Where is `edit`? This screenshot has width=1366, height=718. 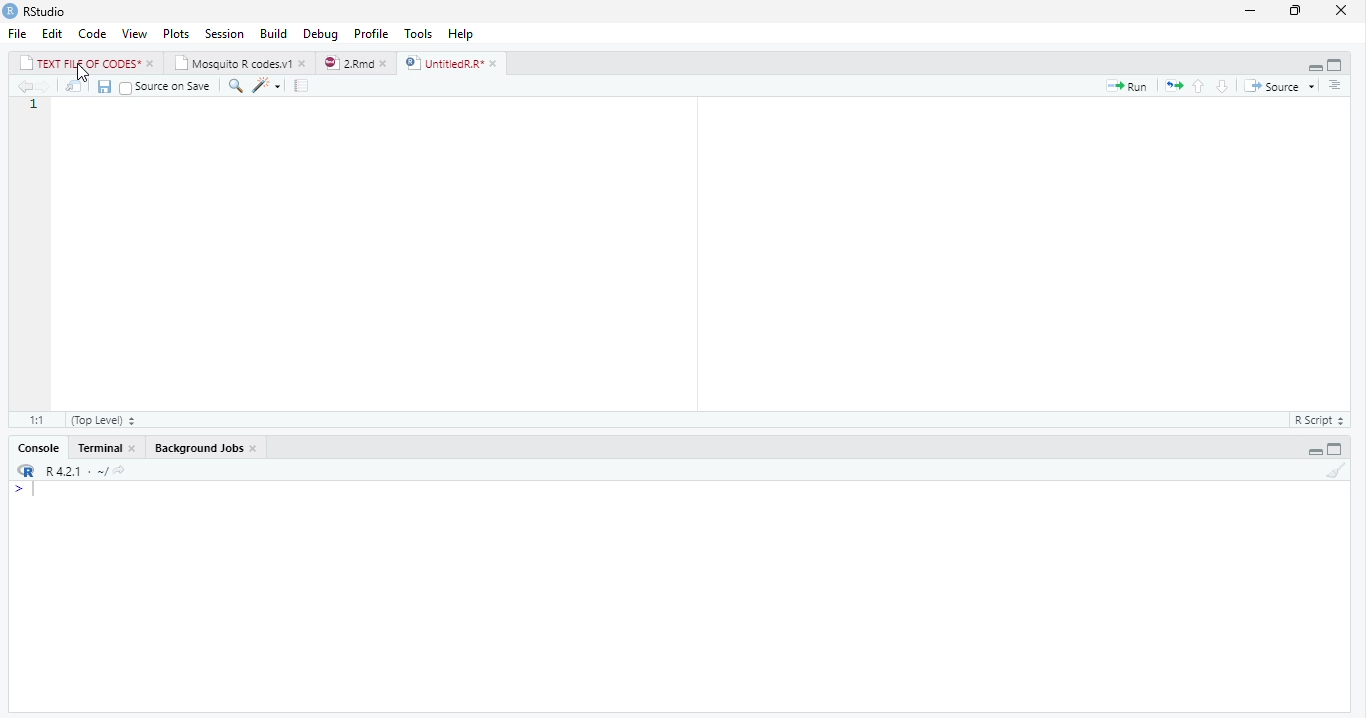
edit is located at coordinates (53, 34).